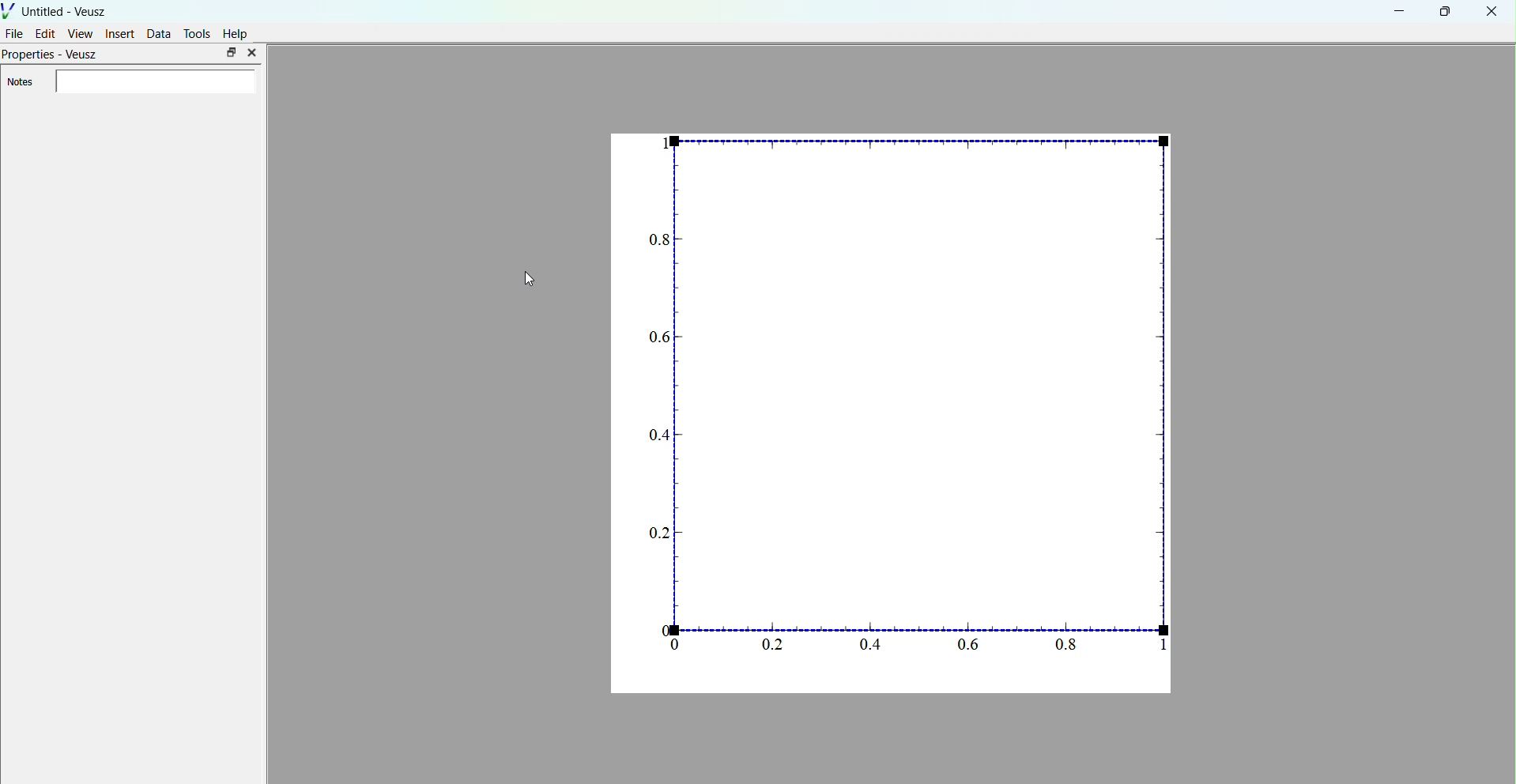 This screenshot has height=784, width=1516. Describe the element at coordinates (1491, 13) in the screenshot. I see `close` at that location.